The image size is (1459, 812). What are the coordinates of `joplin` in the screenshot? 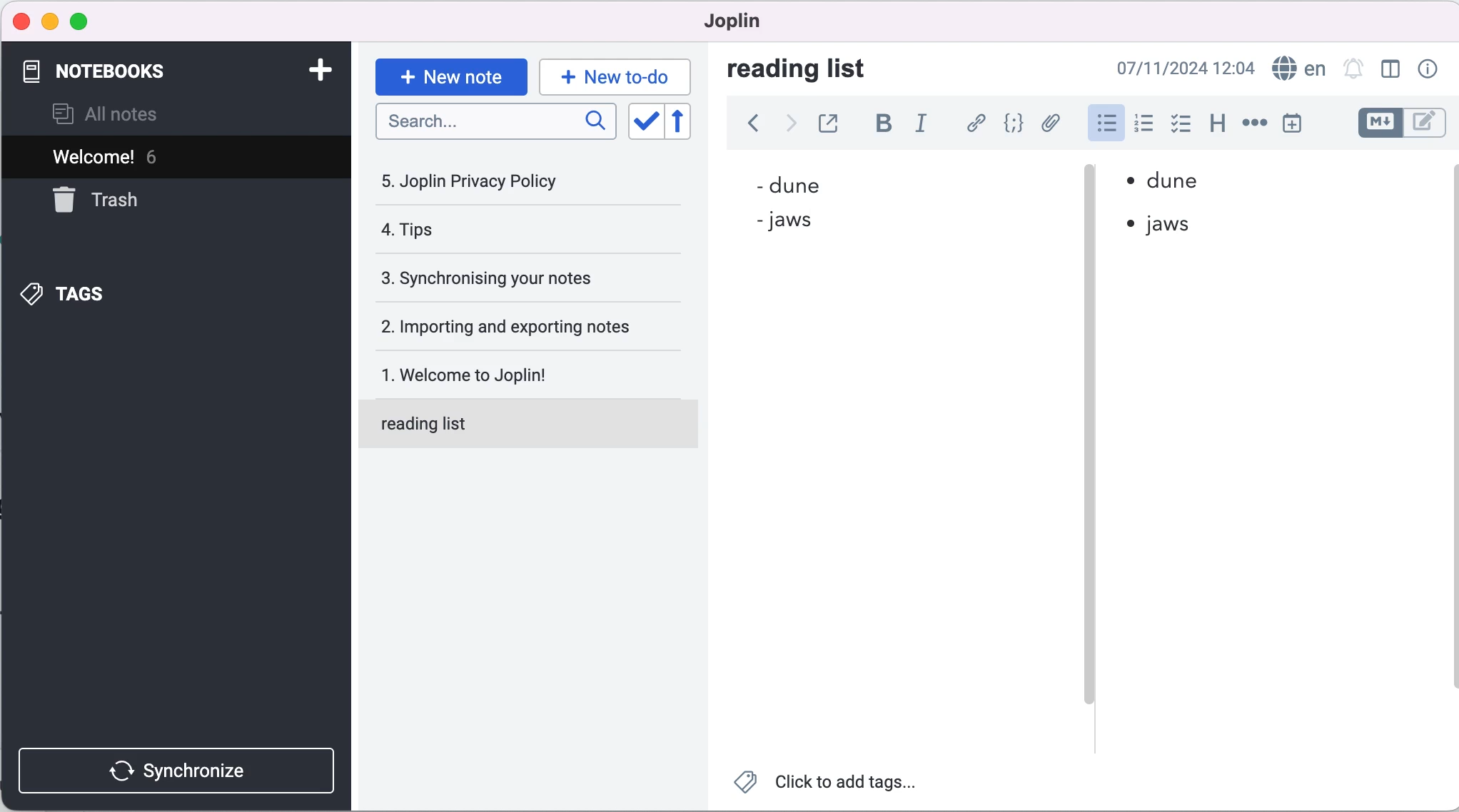 It's located at (757, 23).